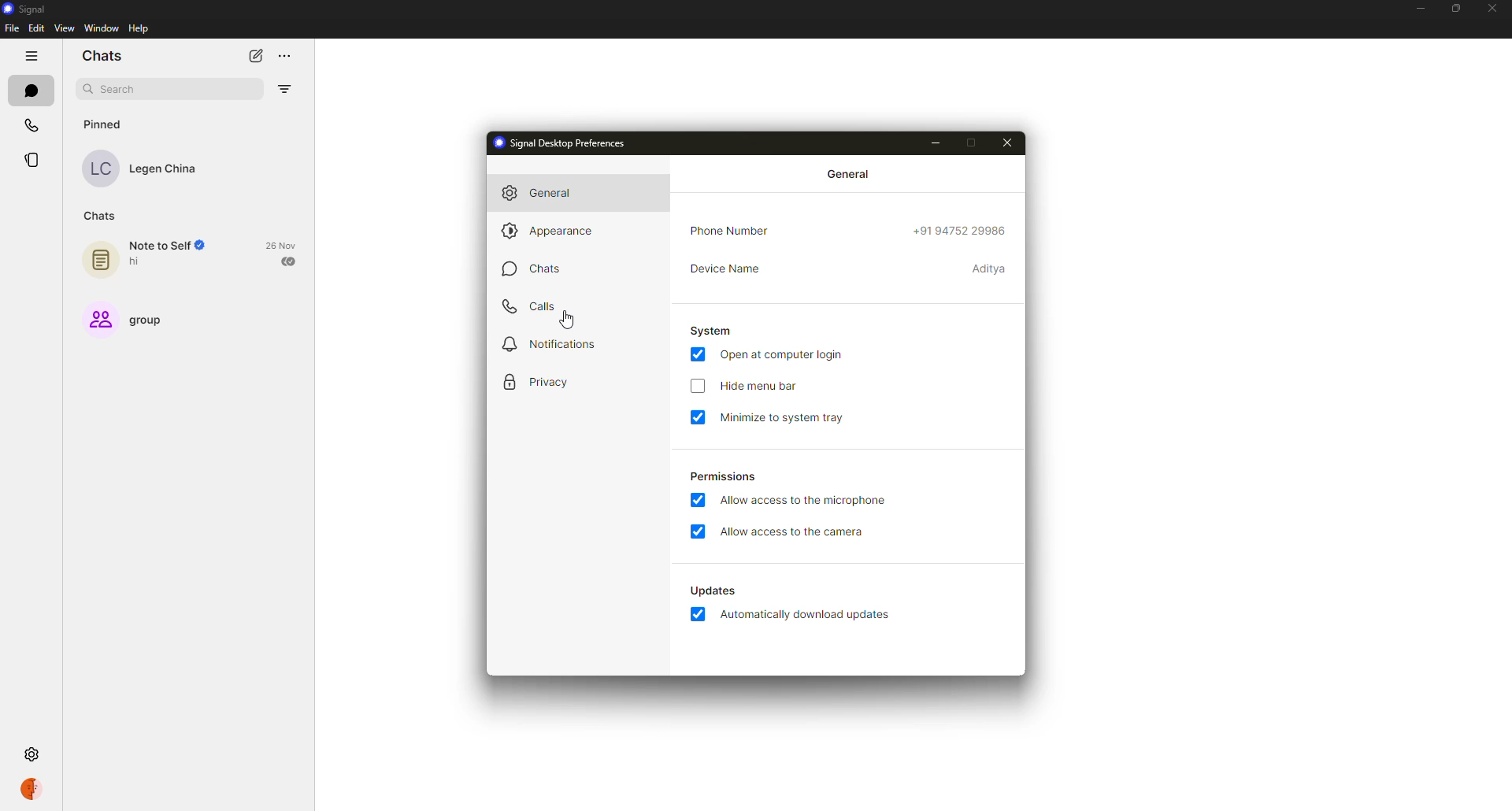 This screenshot has height=811, width=1512. Describe the element at coordinates (721, 475) in the screenshot. I see `permissions` at that location.